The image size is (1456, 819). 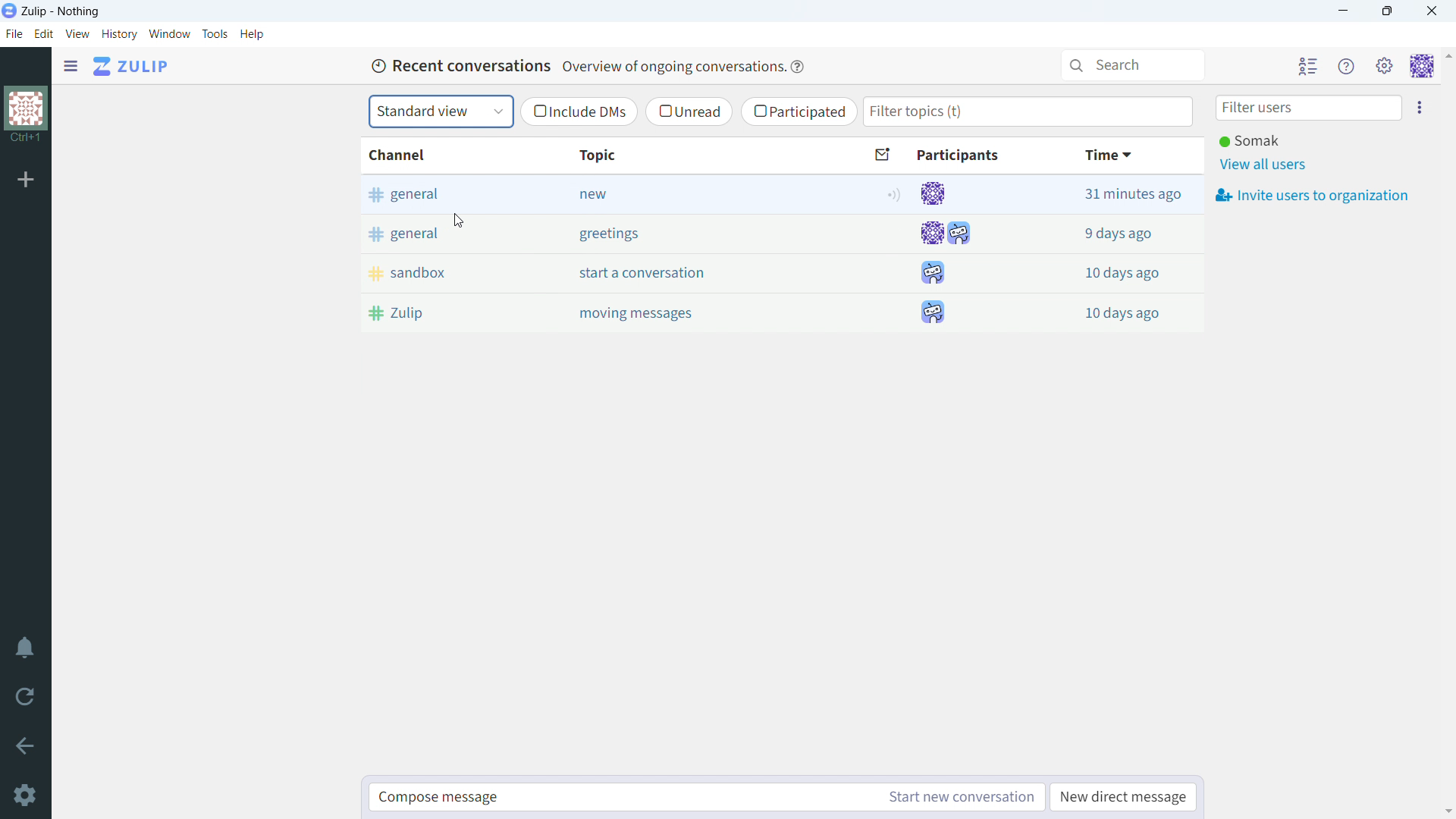 What do you see at coordinates (677, 155) in the screenshot?
I see `topic` at bounding box center [677, 155].